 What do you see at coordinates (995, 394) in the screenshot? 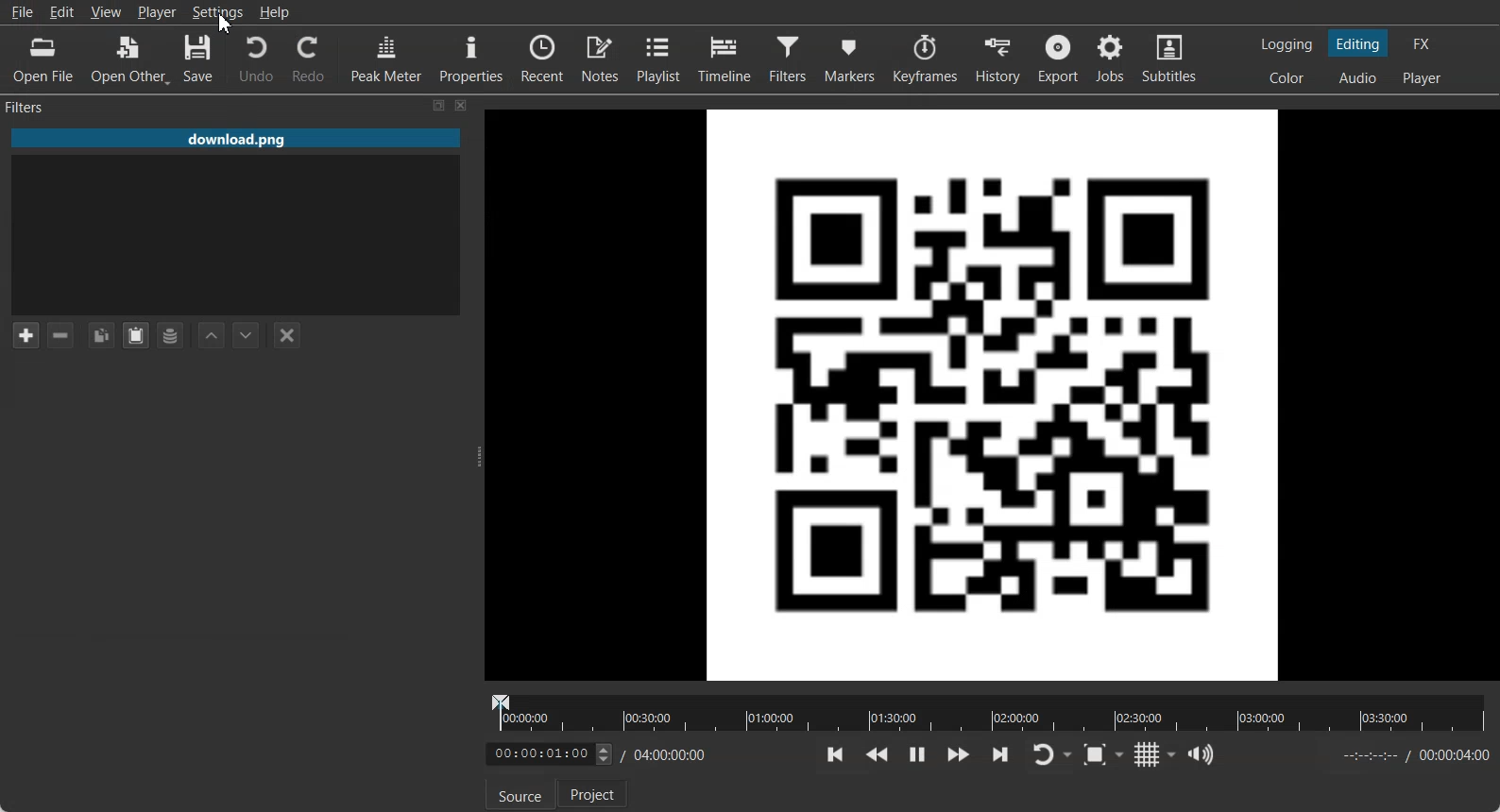
I see `File preview window` at bounding box center [995, 394].